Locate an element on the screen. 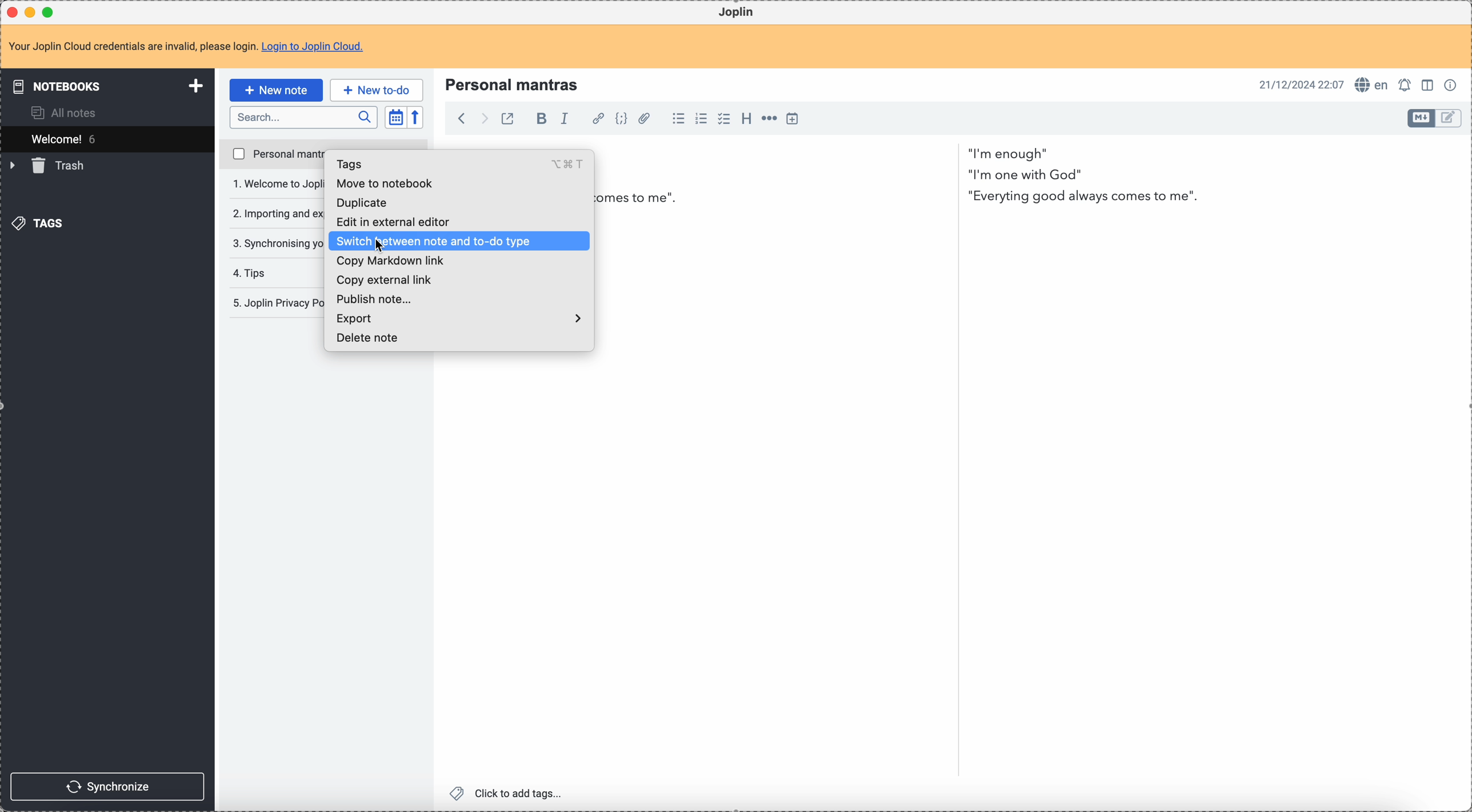  toggle edit layout is located at coordinates (1429, 85).